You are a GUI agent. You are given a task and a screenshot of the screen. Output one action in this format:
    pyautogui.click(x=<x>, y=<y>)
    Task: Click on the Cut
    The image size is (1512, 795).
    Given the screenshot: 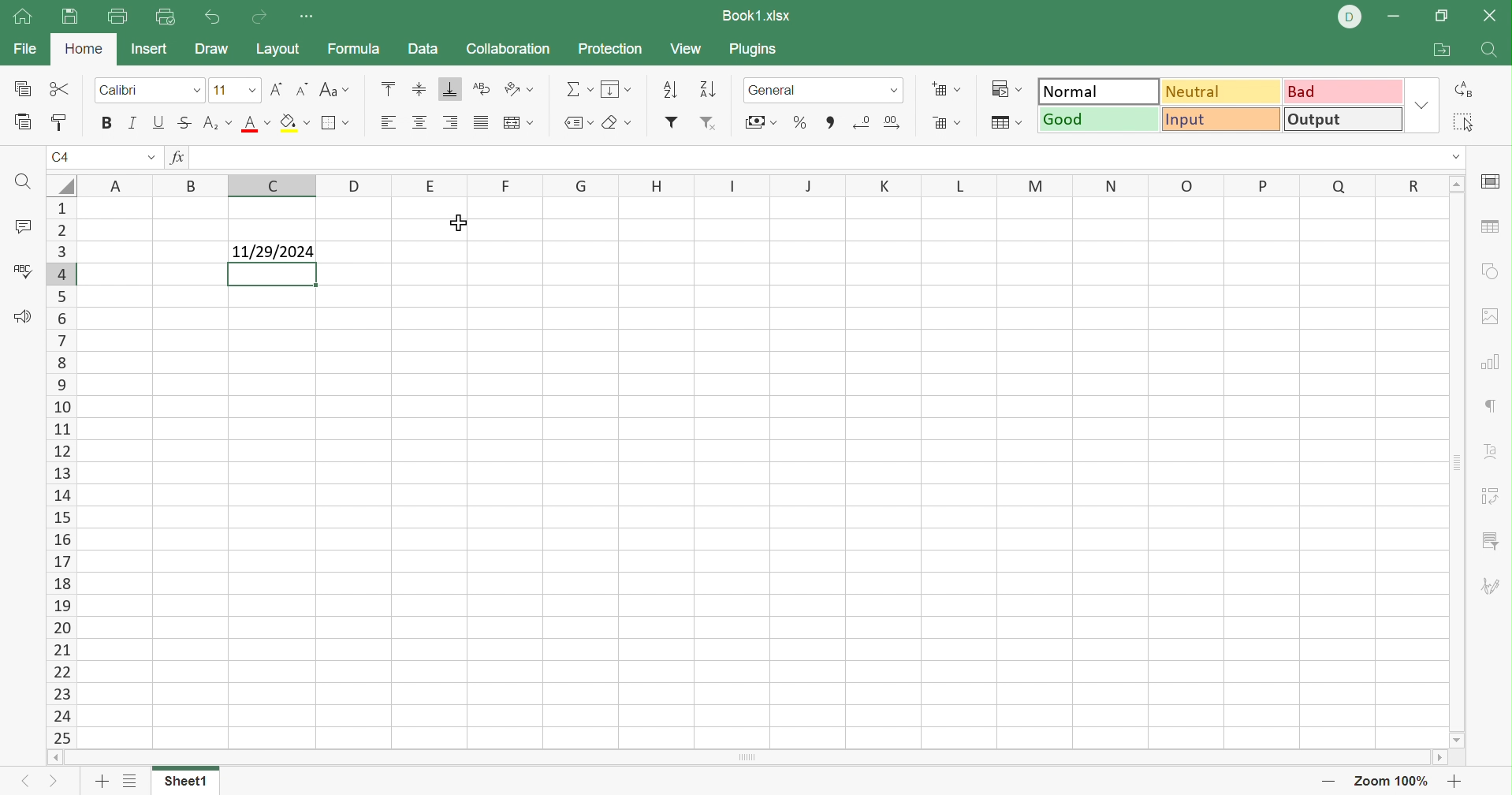 What is the action you would take?
    pyautogui.click(x=64, y=90)
    